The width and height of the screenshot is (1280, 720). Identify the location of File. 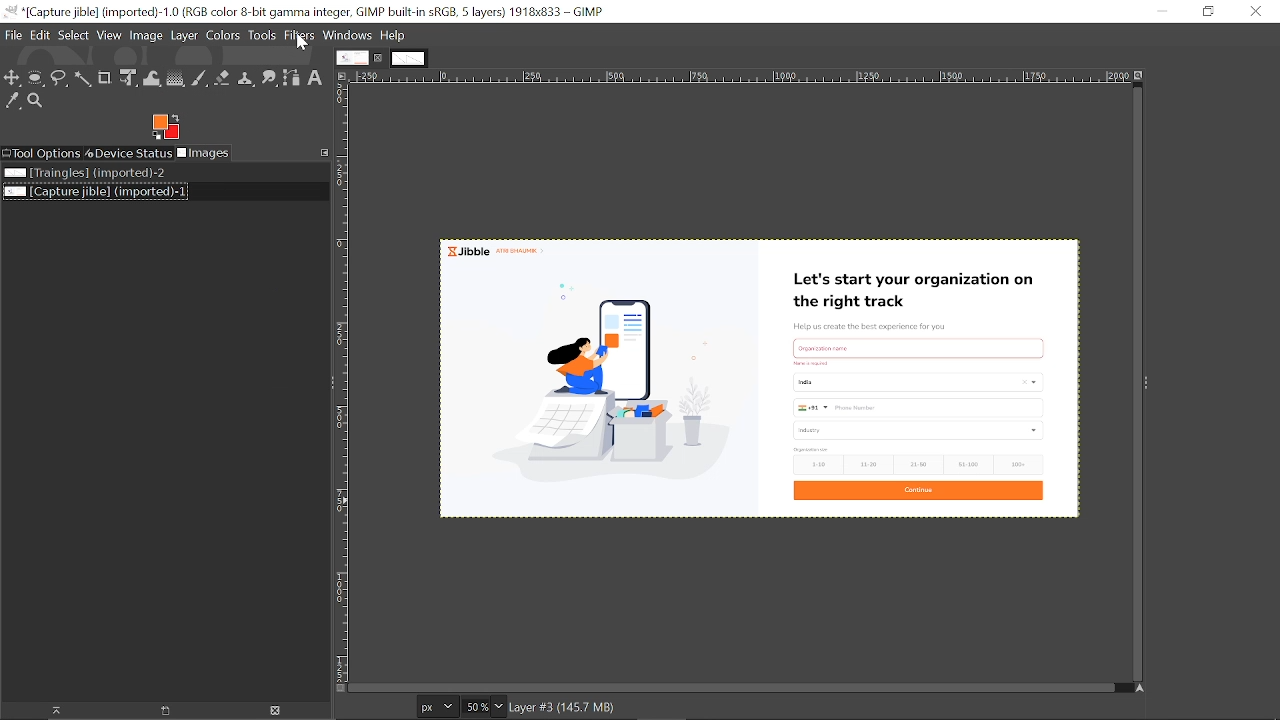
(13, 37).